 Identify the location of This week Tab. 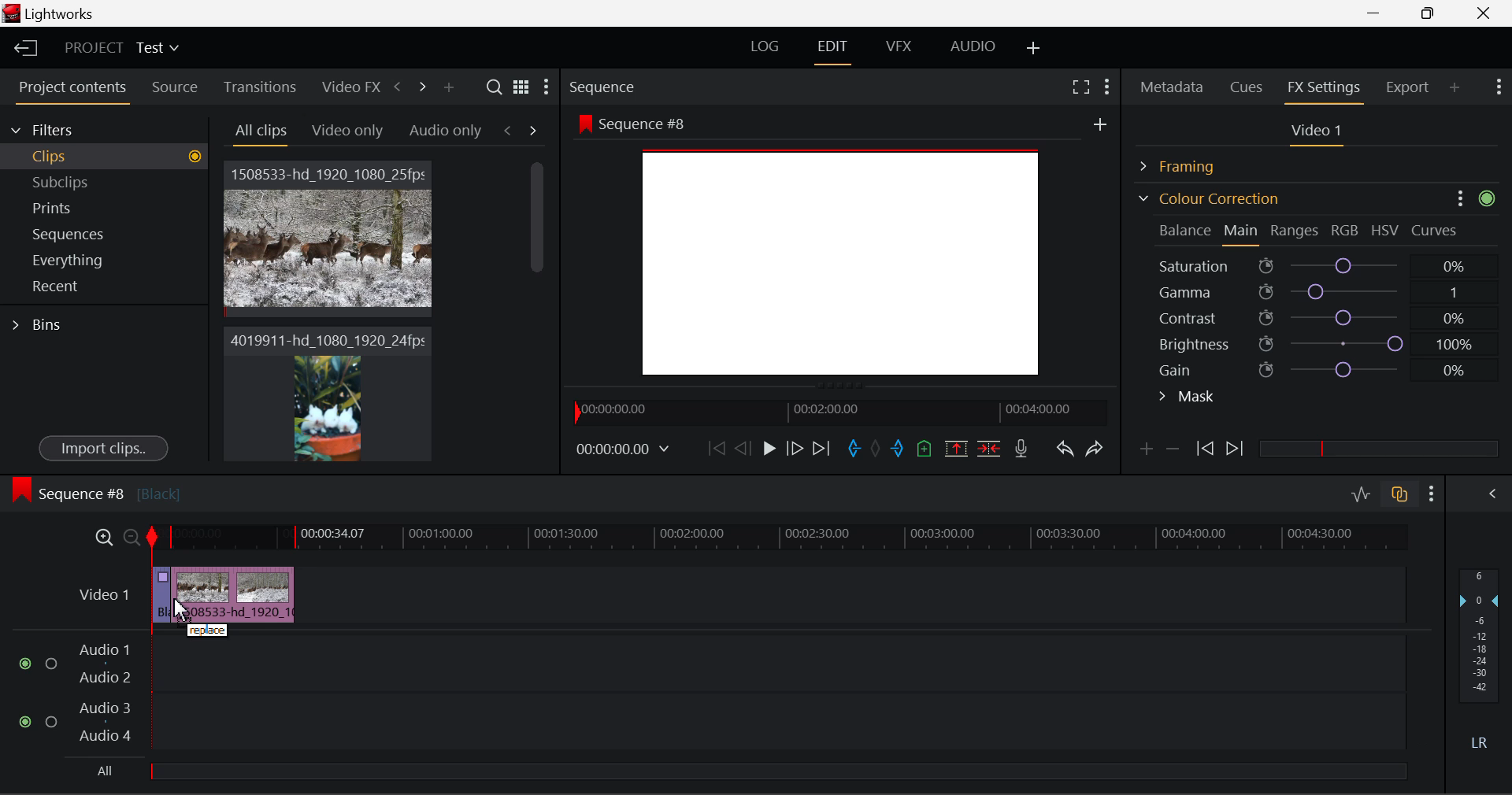
(444, 131).